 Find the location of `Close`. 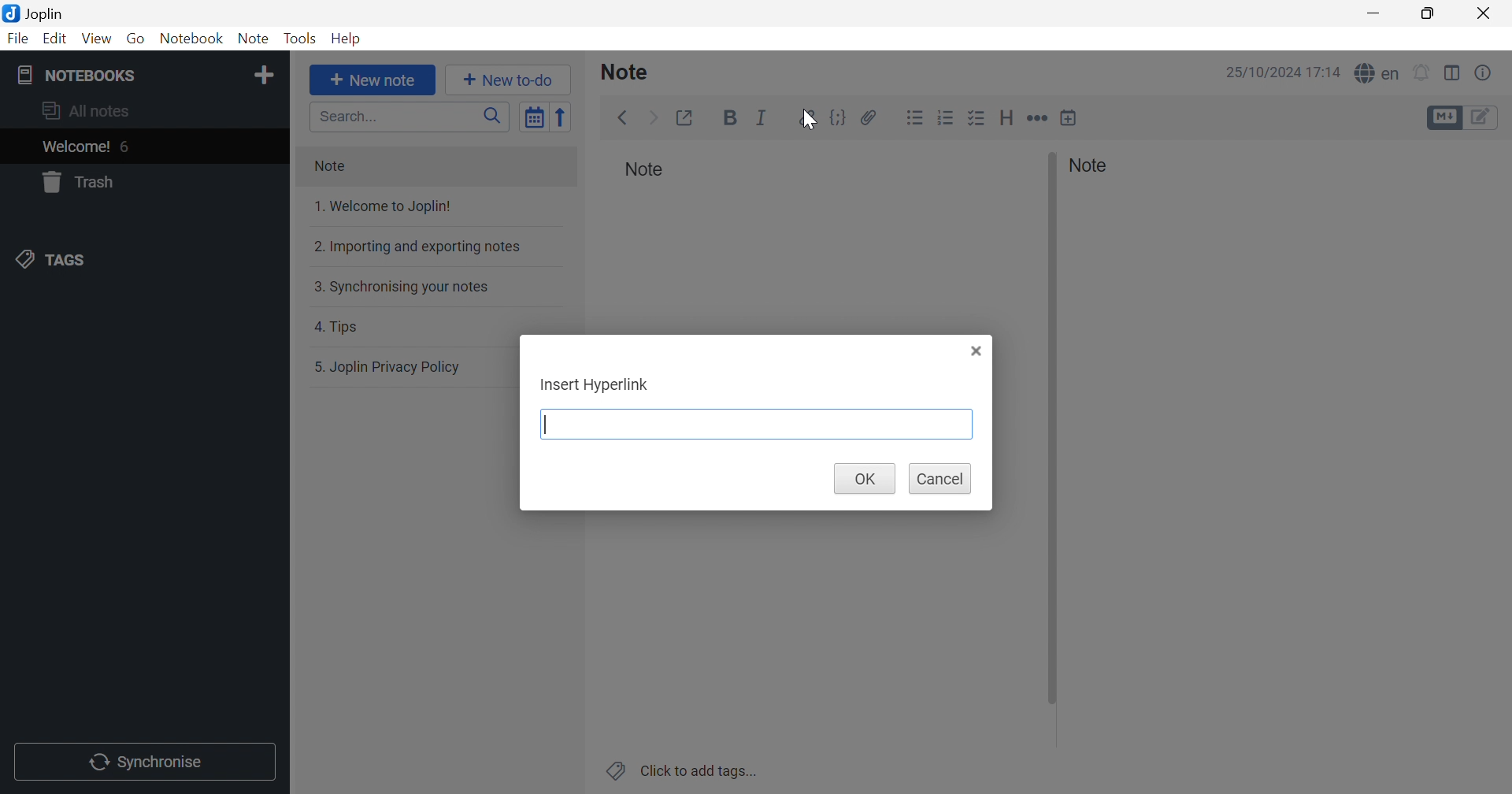

Close is located at coordinates (1484, 13).